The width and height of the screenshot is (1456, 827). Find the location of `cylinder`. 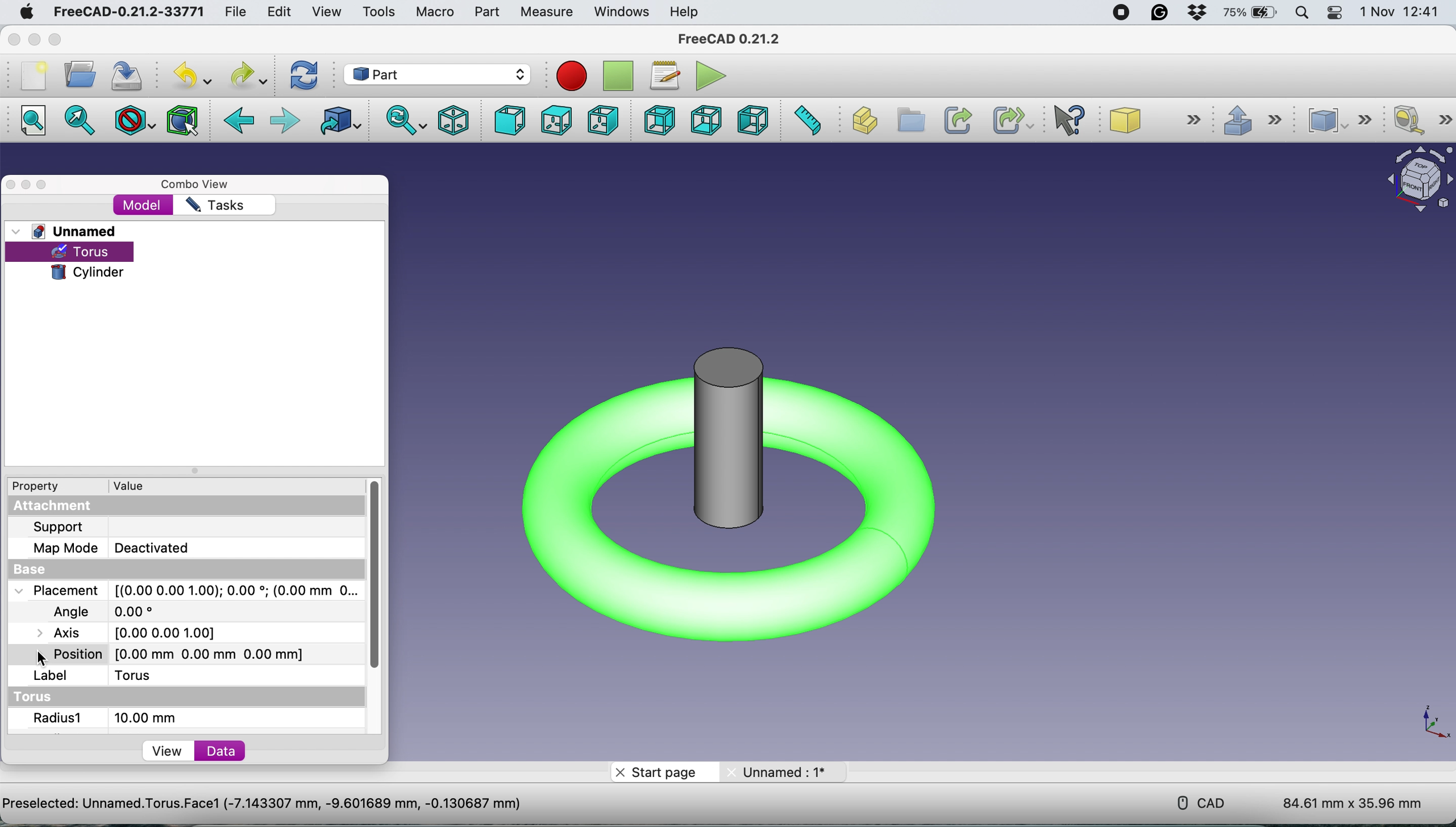

cylinder is located at coordinates (88, 271).